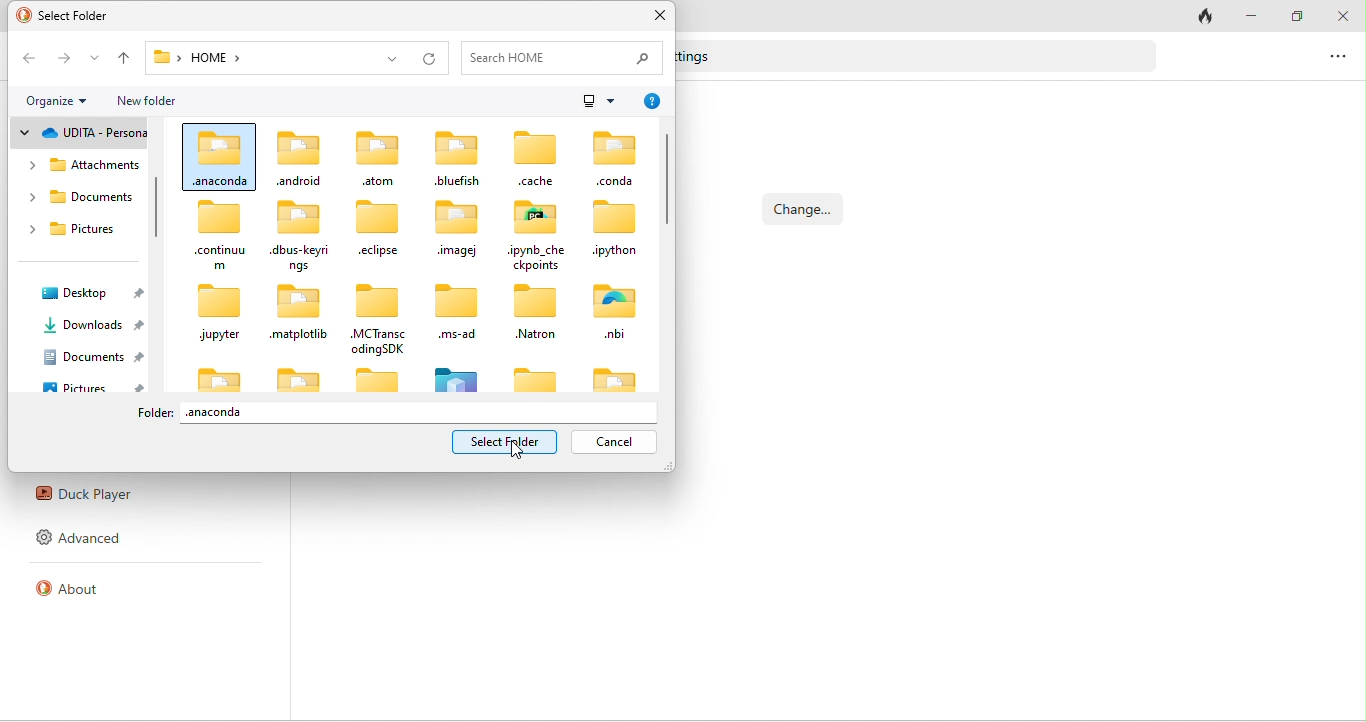 This screenshot has width=1366, height=722. Describe the element at coordinates (667, 179) in the screenshot. I see `vertical scroll bar` at that location.